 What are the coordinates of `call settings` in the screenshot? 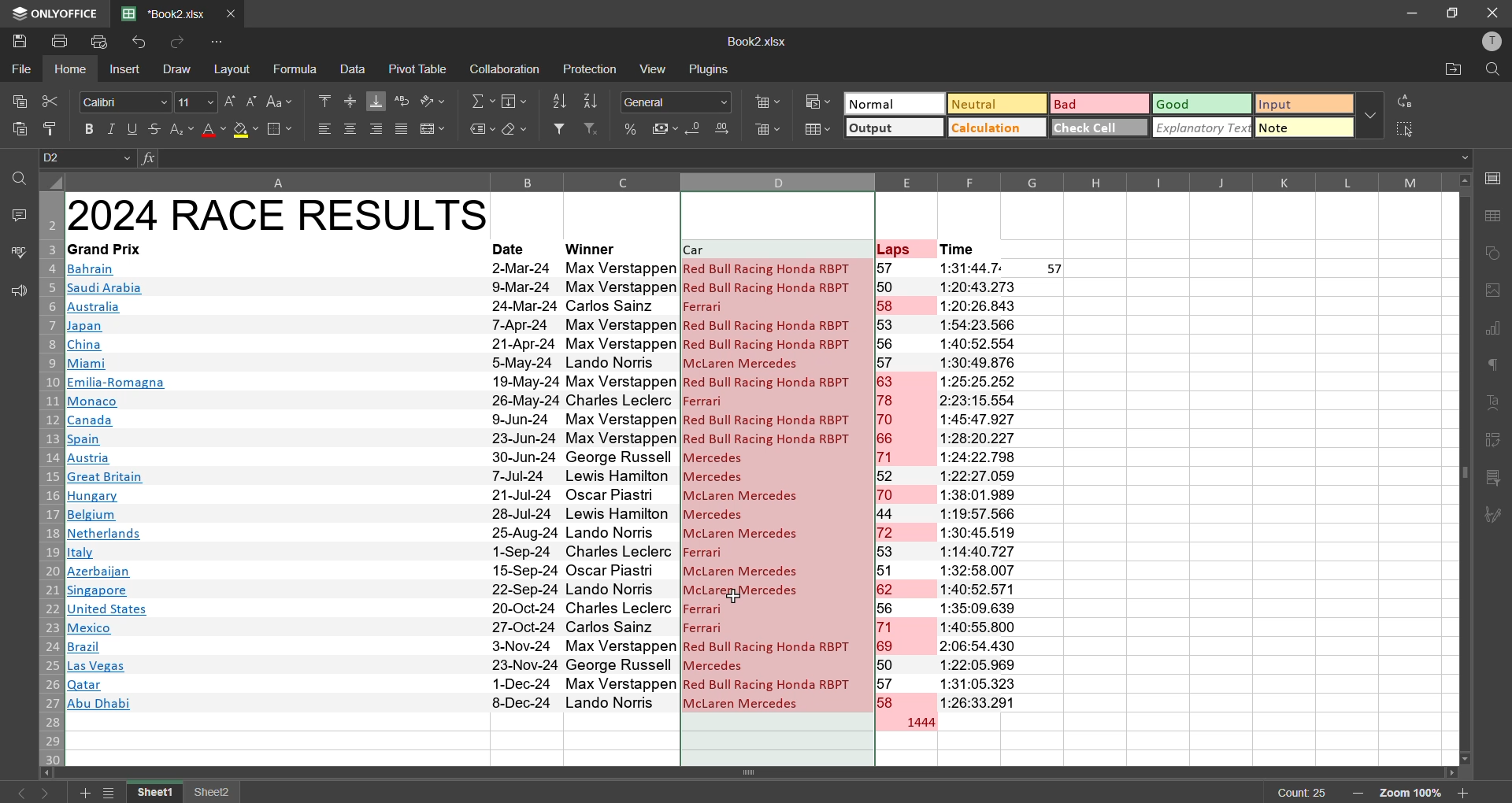 It's located at (1495, 182).